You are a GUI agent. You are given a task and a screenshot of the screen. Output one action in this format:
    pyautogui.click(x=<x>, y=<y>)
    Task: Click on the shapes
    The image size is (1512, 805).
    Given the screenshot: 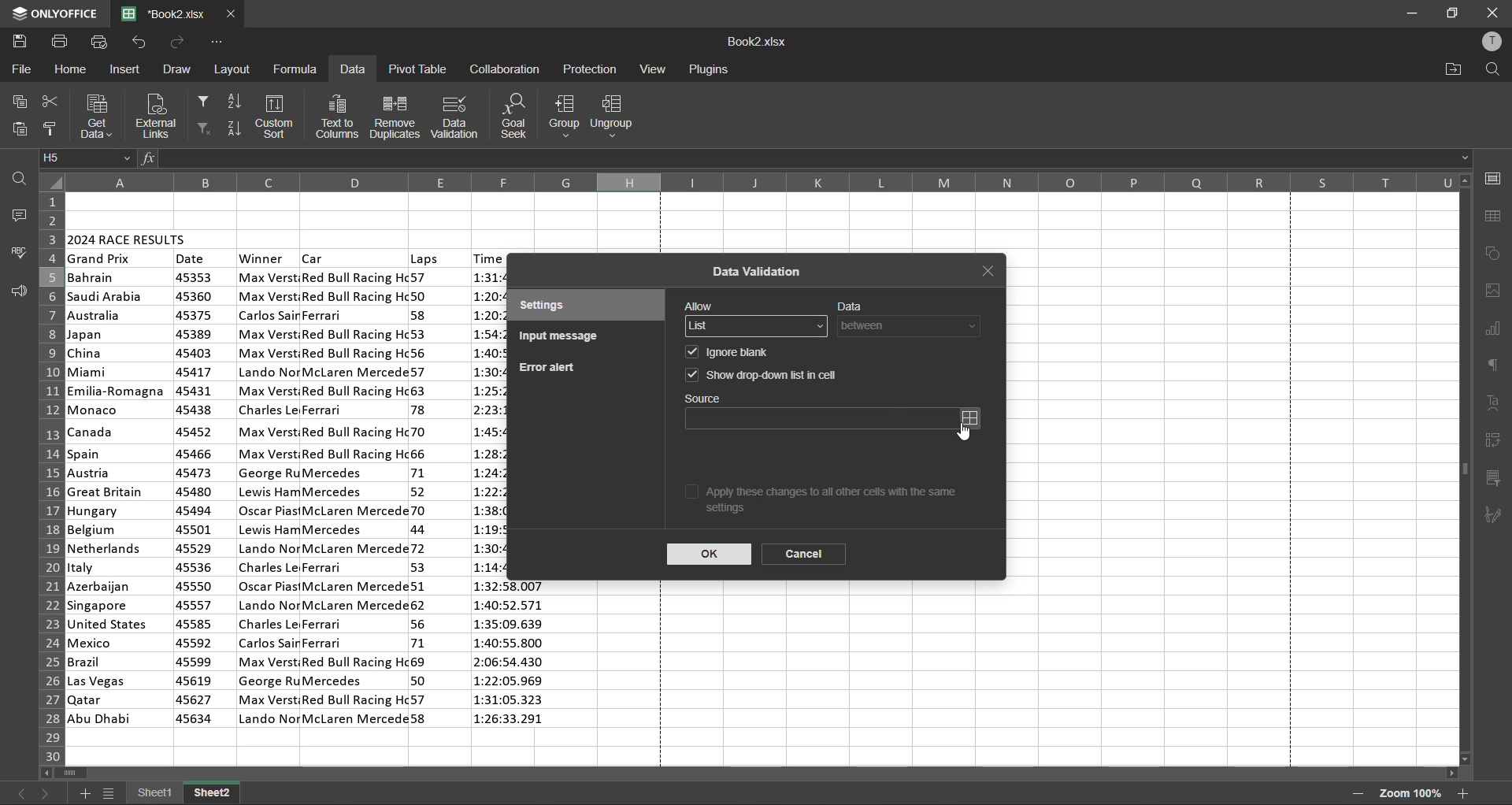 What is the action you would take?
    pyautogui.click(x=1494, y=254)
    